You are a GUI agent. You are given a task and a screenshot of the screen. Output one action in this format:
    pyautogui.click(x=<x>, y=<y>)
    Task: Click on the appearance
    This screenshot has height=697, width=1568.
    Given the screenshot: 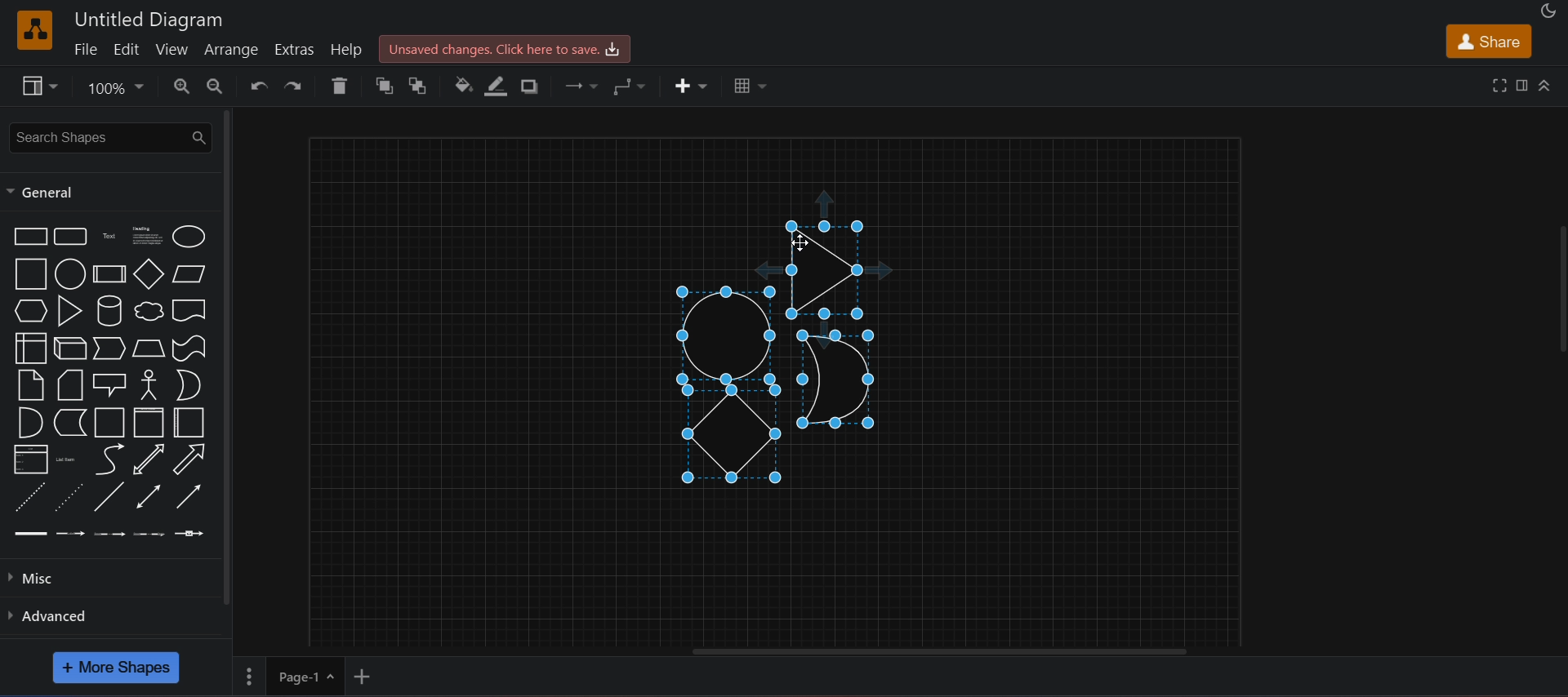 What is the action you would take?
    pyautogui.click(x=1550, y=10)
    